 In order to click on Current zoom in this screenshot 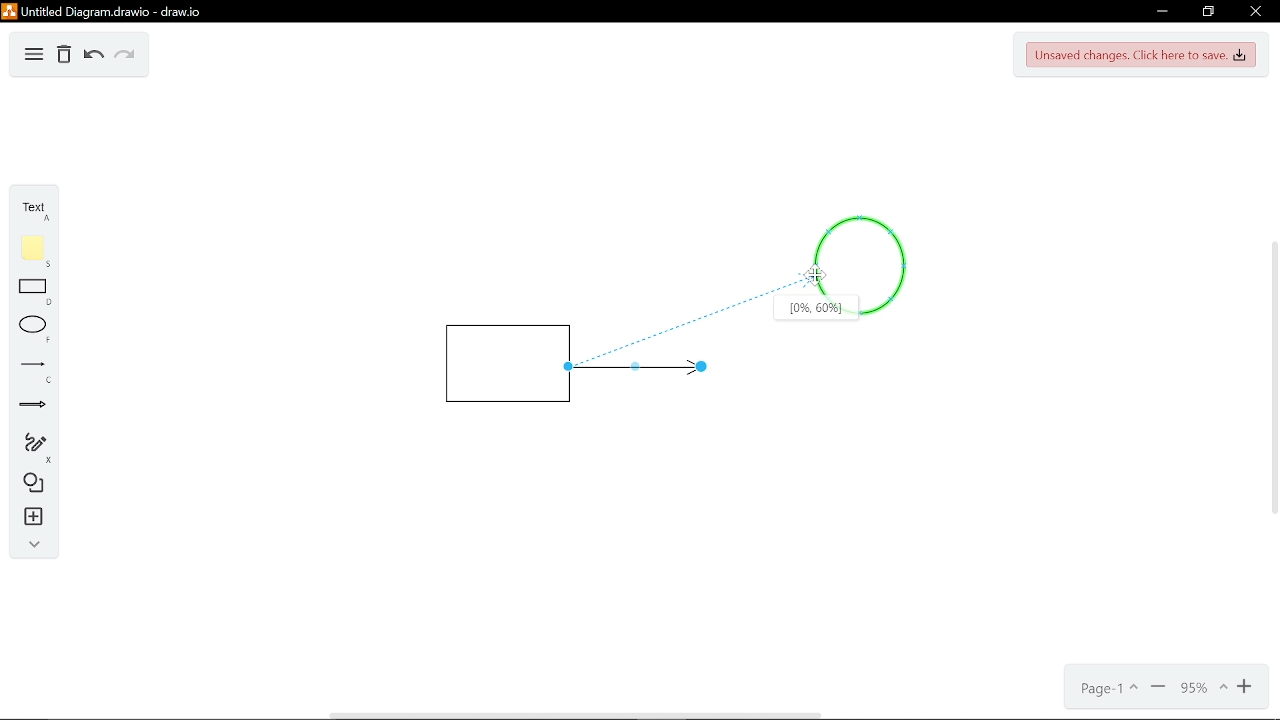, I will do `click(1202, 688)`.